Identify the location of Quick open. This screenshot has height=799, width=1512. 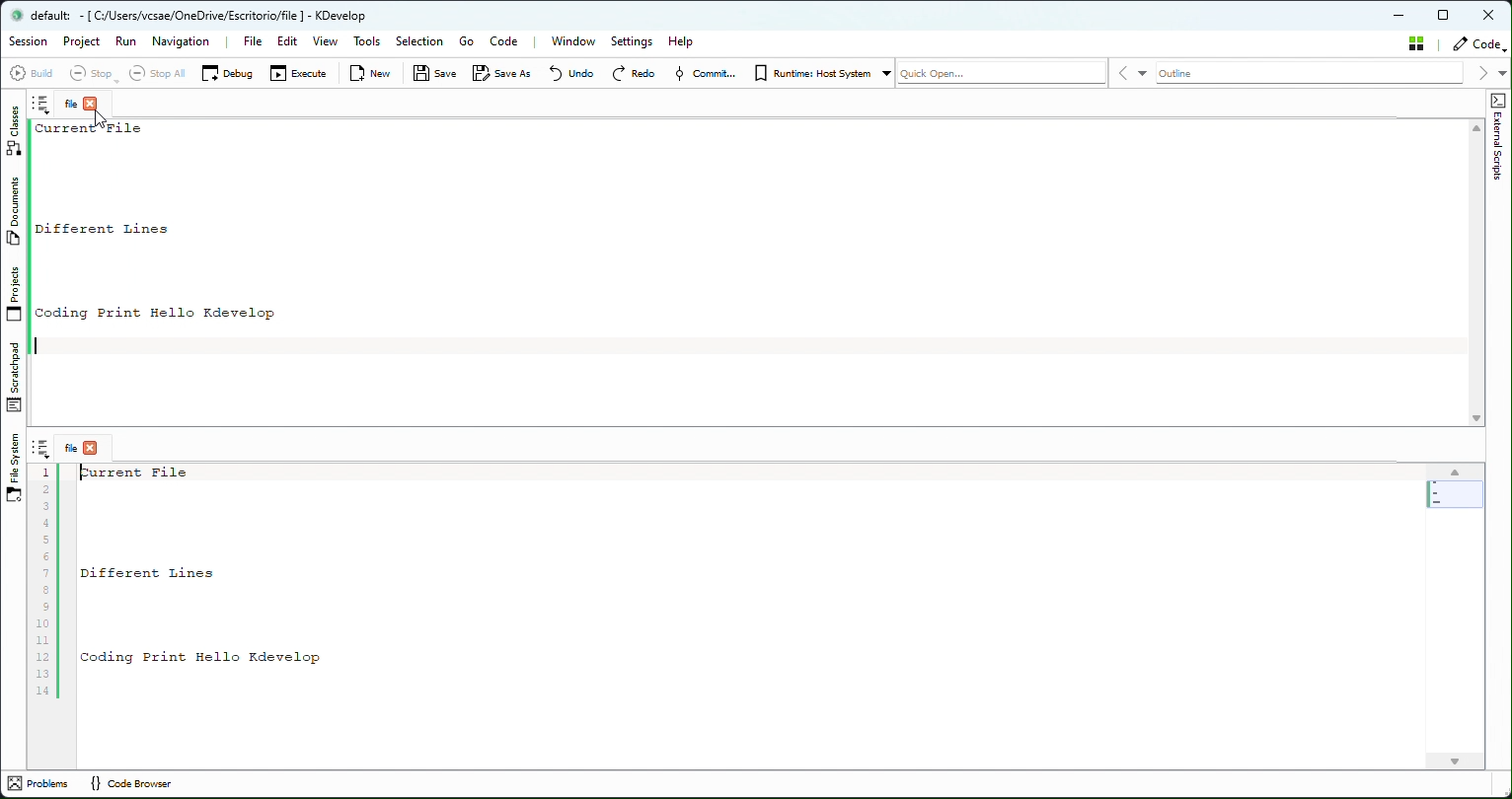
(1004, 73).